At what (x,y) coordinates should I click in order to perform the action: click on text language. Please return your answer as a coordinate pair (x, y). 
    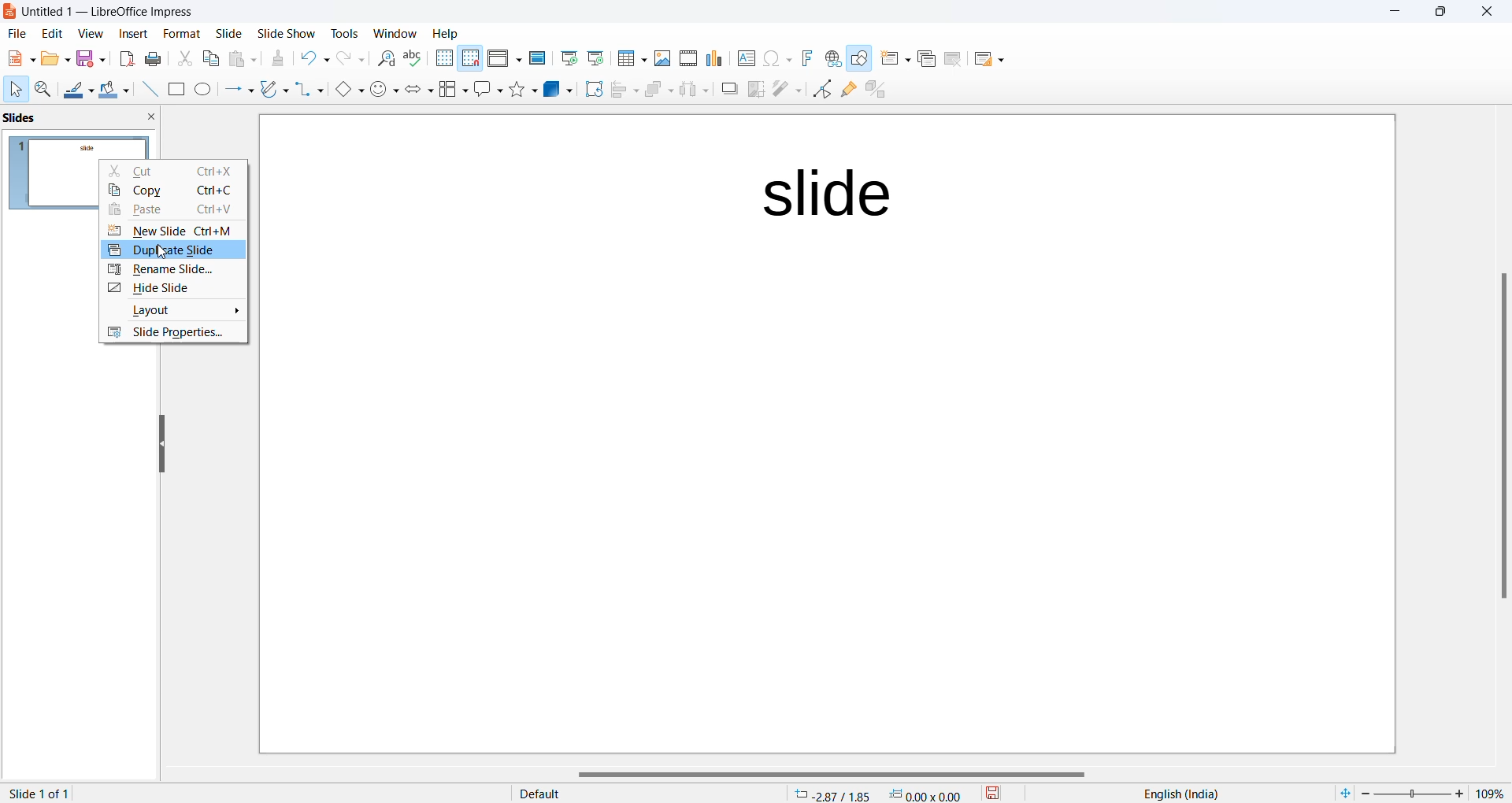
    Looking at the image, I should click on (1185, 793).